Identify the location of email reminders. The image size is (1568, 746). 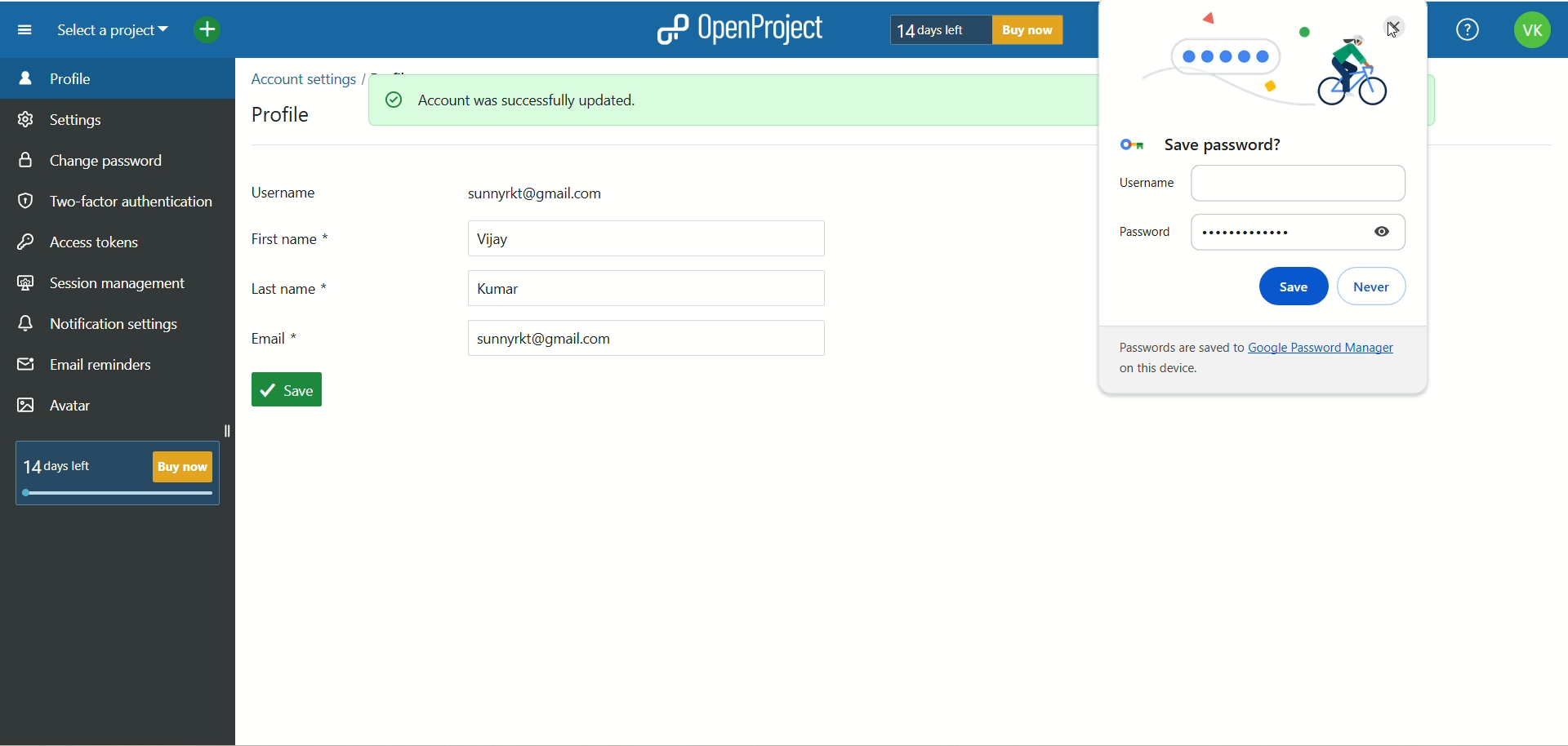
(87, 368).